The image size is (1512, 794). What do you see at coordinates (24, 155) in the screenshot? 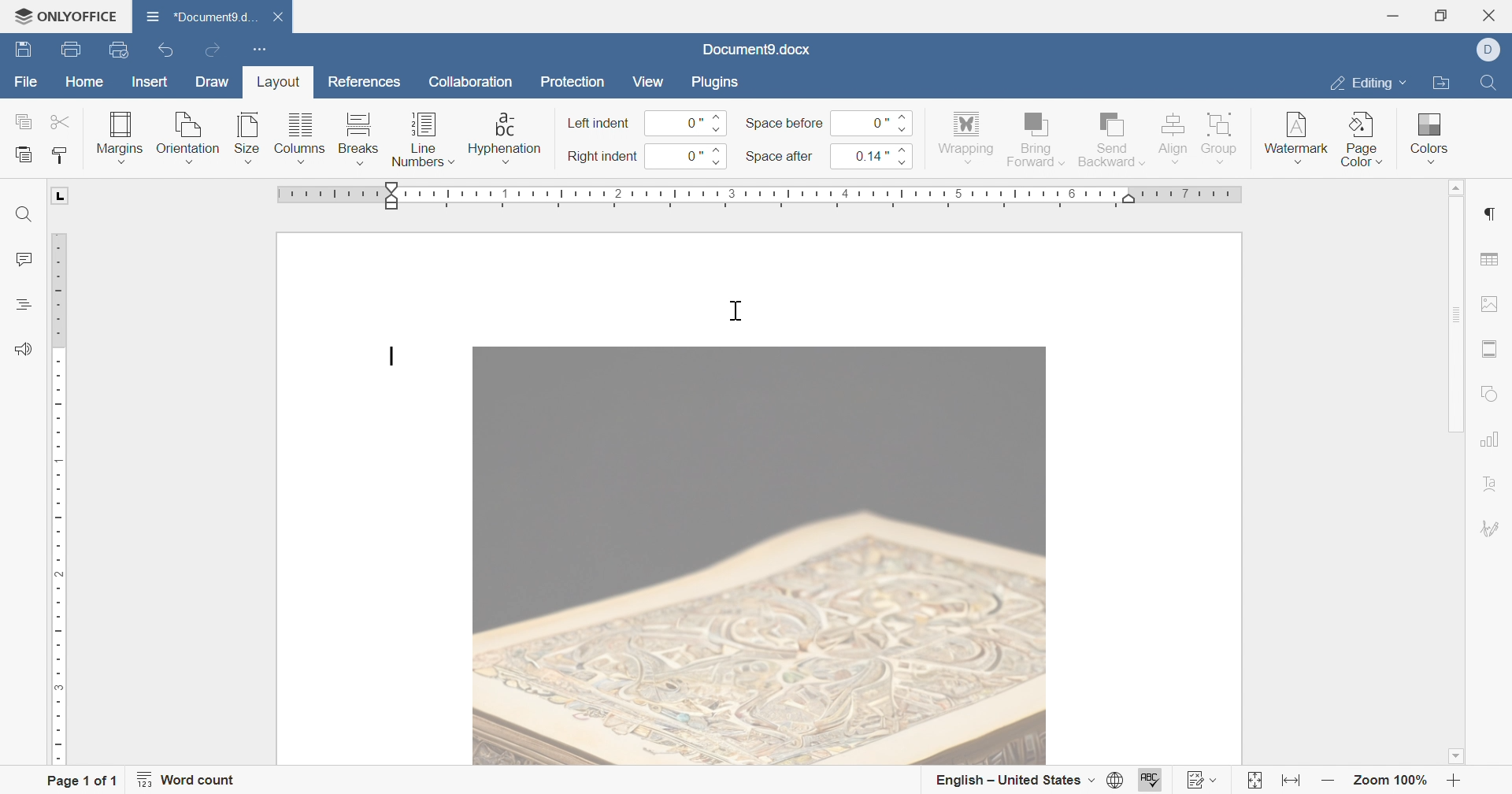
I see `paste` at bounding box center [24, 155].